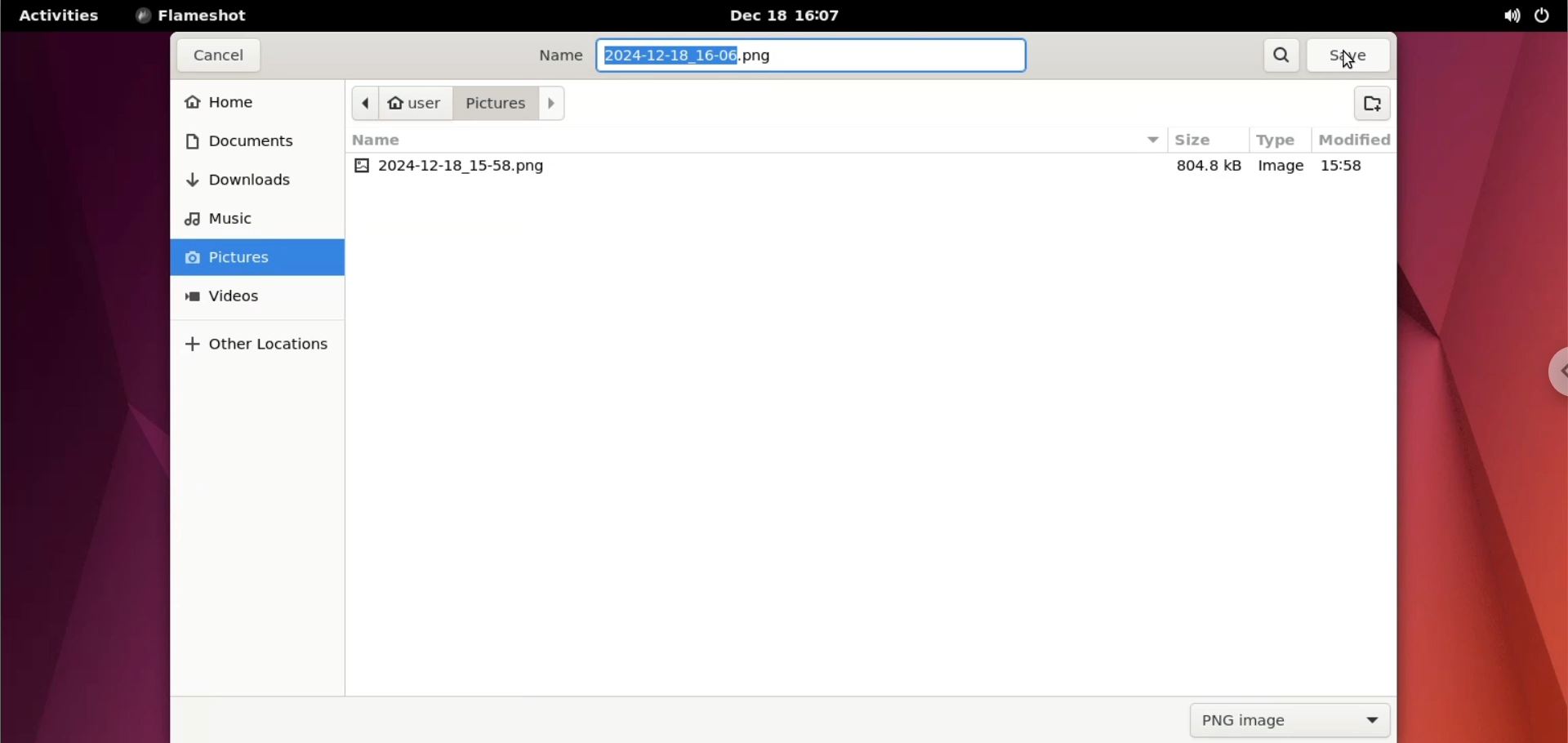  Describe the element at coordinates (1379, 106) in the screenshot. I see `new folder button` at that location.